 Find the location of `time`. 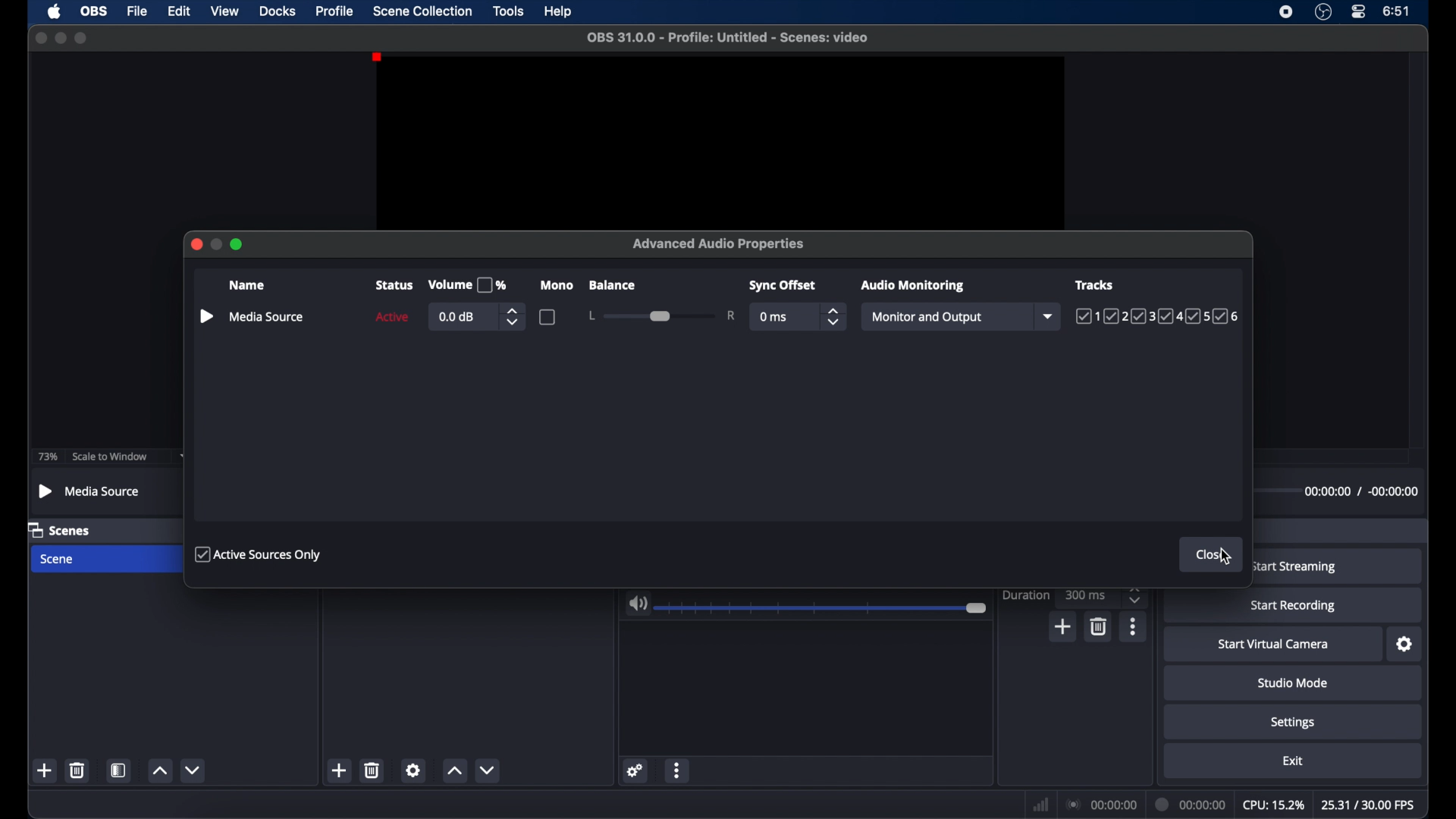

time is located at coordinates (1397, 10).